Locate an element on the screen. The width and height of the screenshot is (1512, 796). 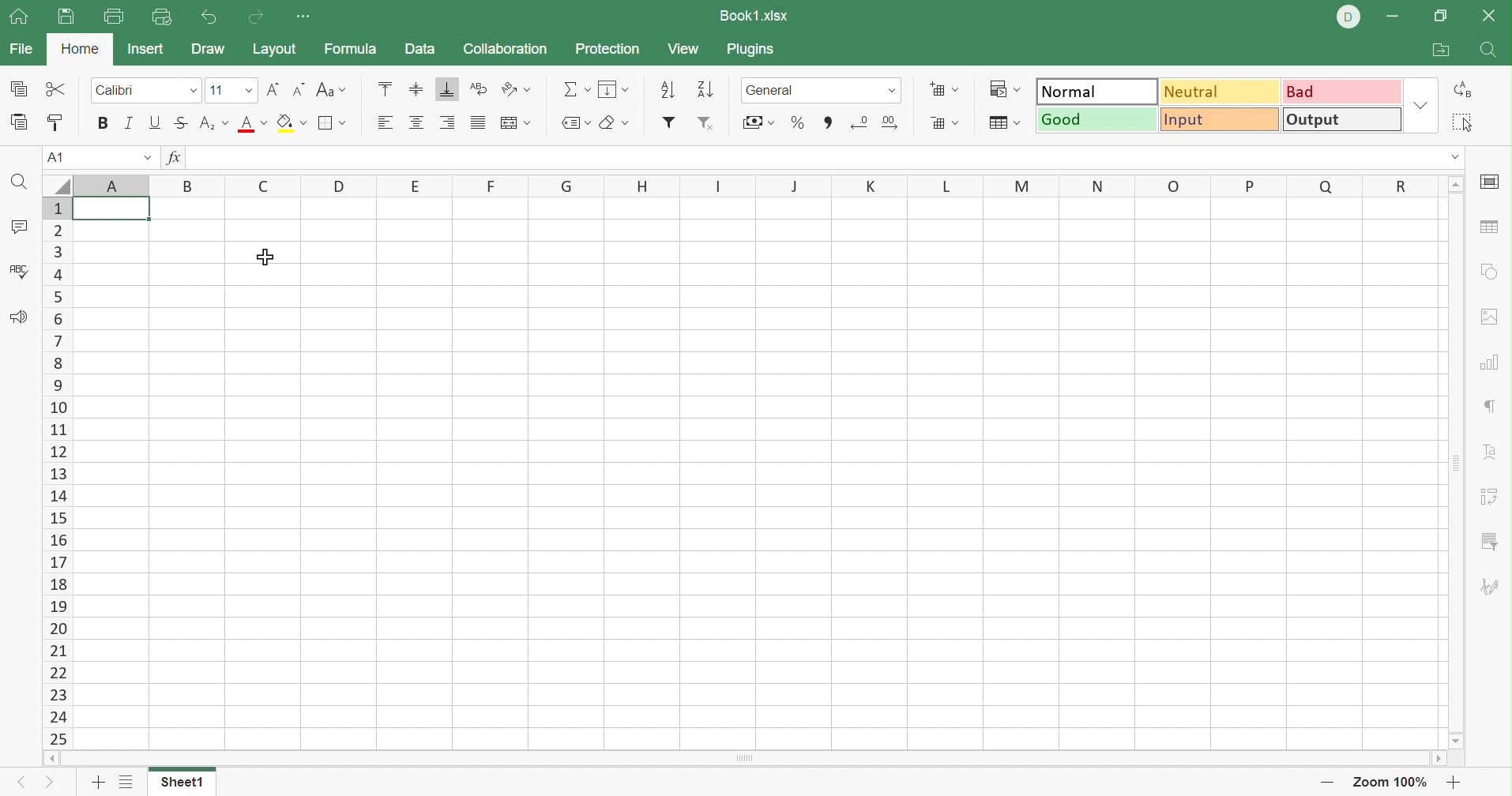
Italic is located at coordinates (130, 122).